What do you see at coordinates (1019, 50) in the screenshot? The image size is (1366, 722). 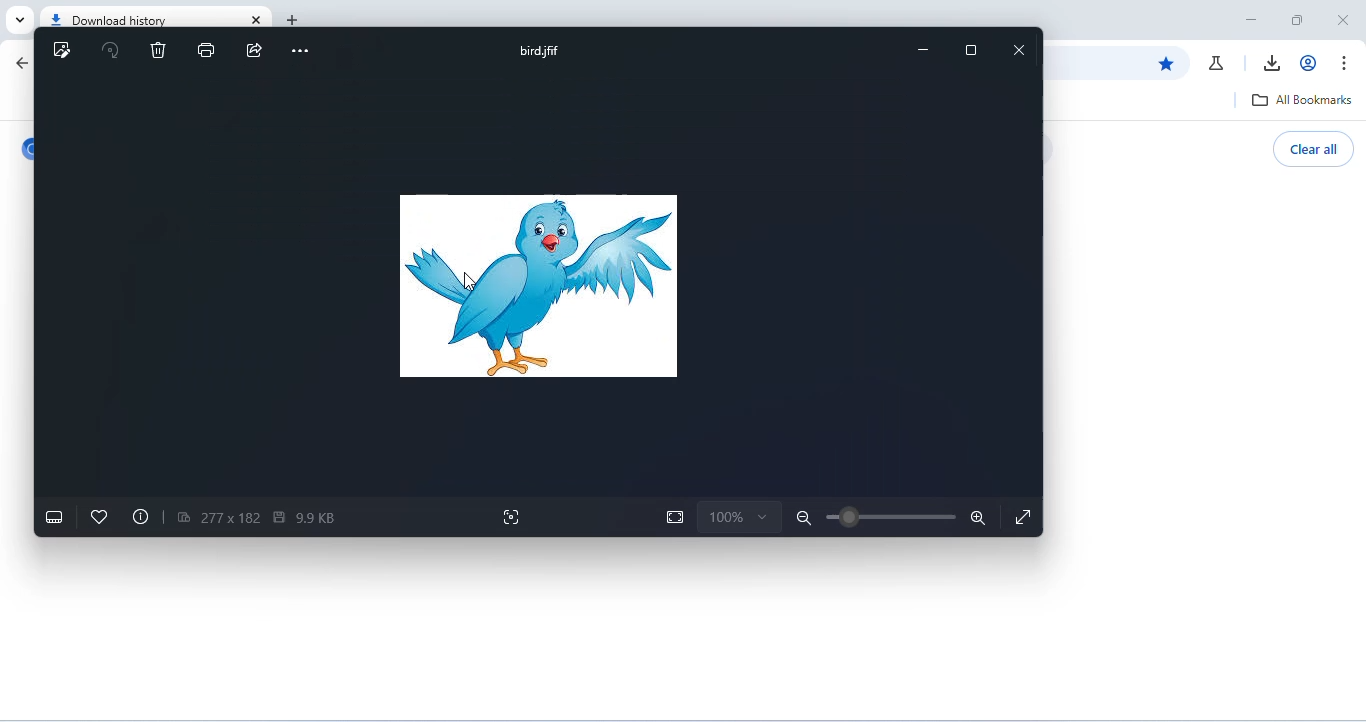 I see `close` at bounding box center [1019, 50].